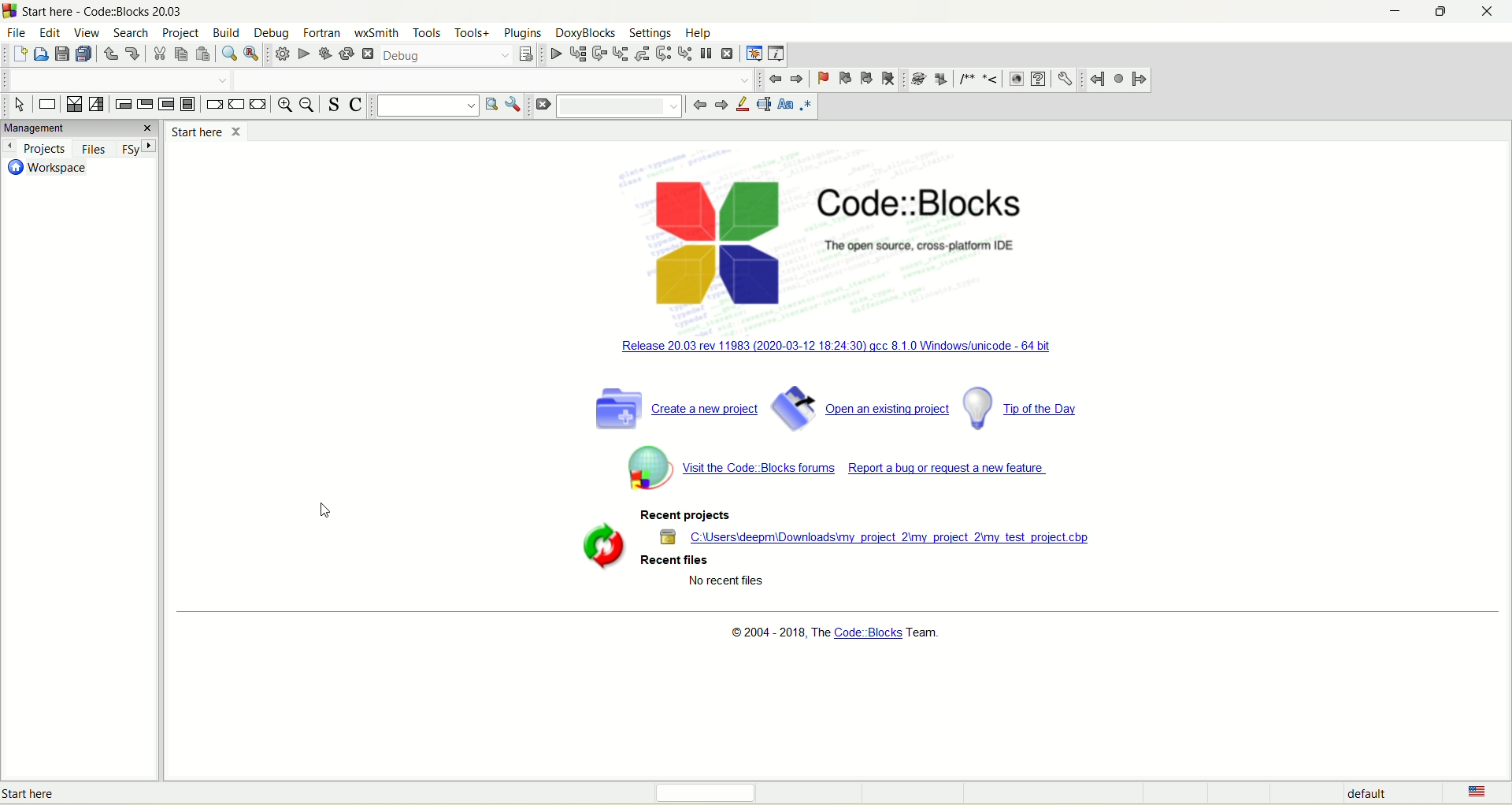 The width and height of the screenshot is (1512, 805). What do you see at coordinates (881, 538) in the screenshot?
I see `location of project` at bounding box center [881, 538].